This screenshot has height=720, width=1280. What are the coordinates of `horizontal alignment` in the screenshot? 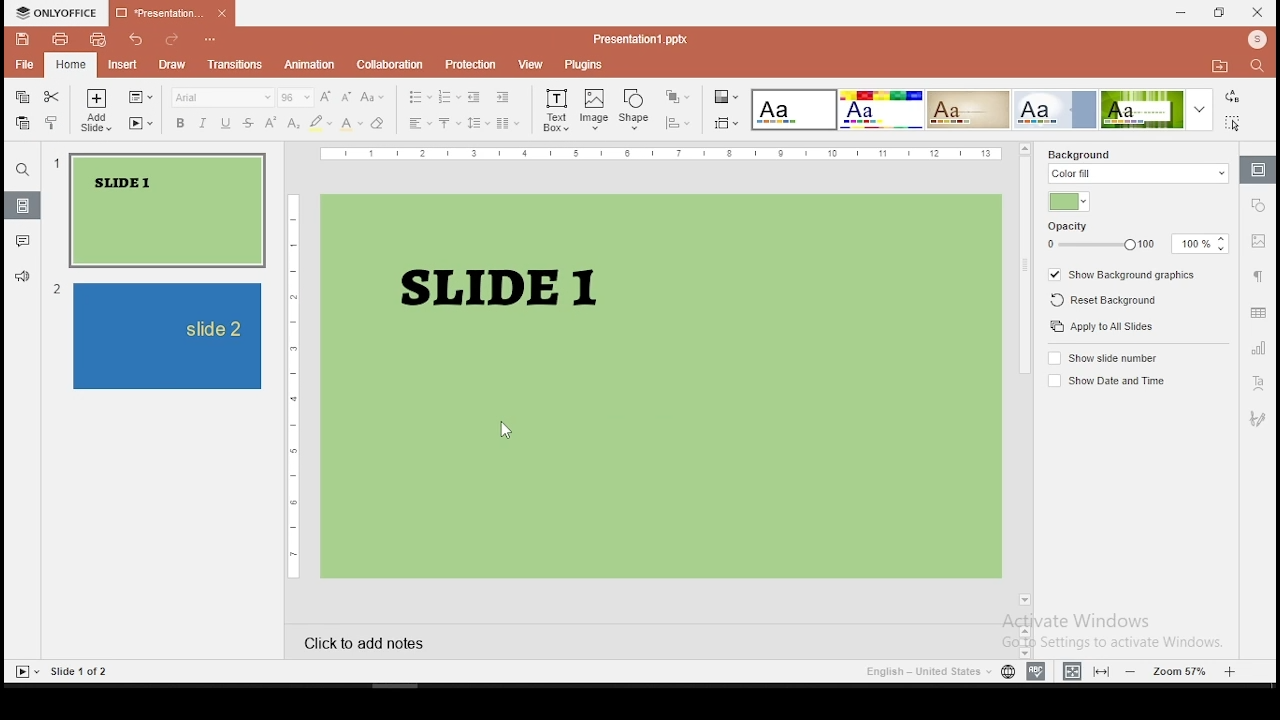 It's located at (419, 124).